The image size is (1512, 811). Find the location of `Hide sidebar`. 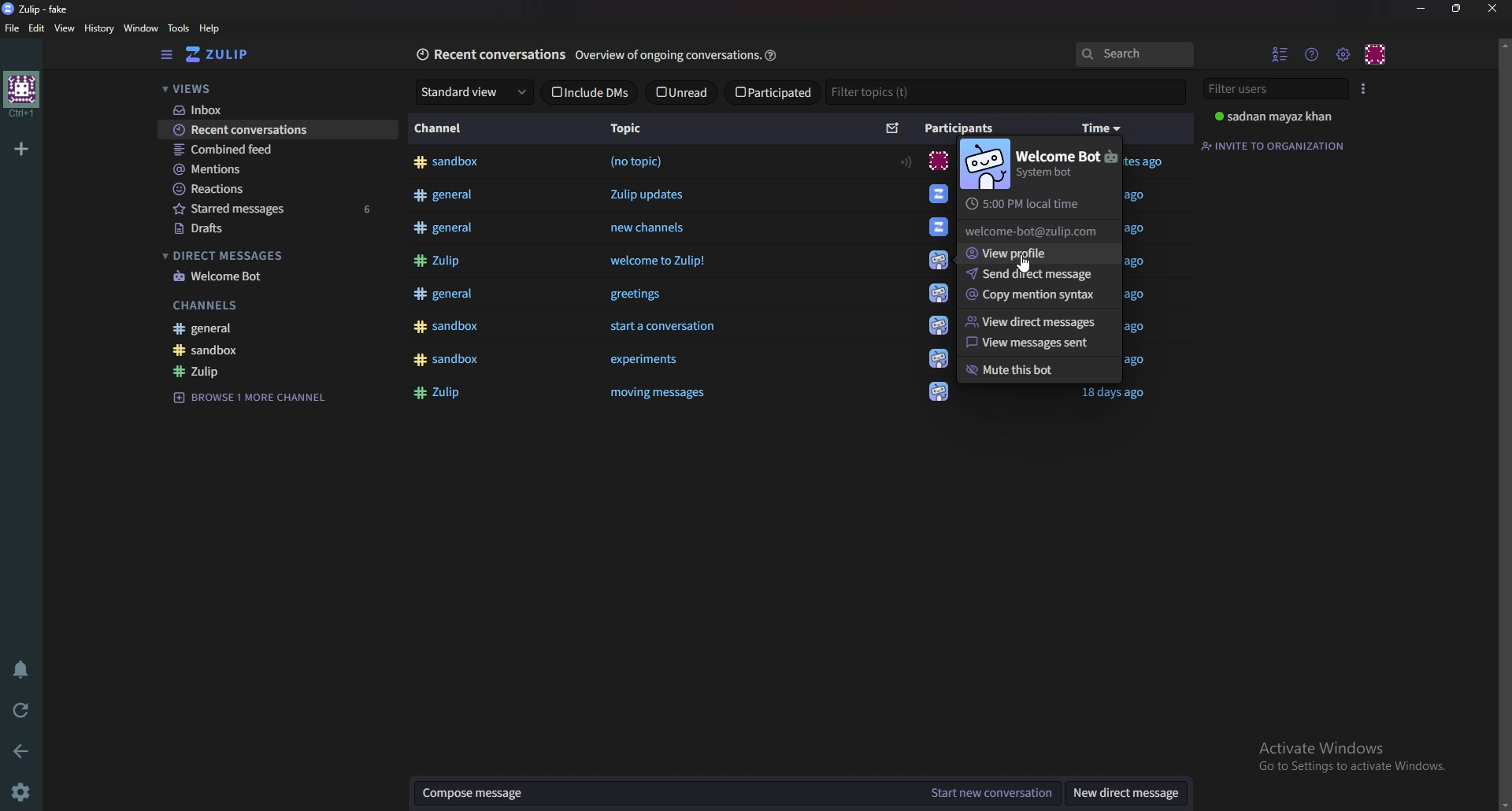

Hide sidebar is located at coordinates (165, 55).